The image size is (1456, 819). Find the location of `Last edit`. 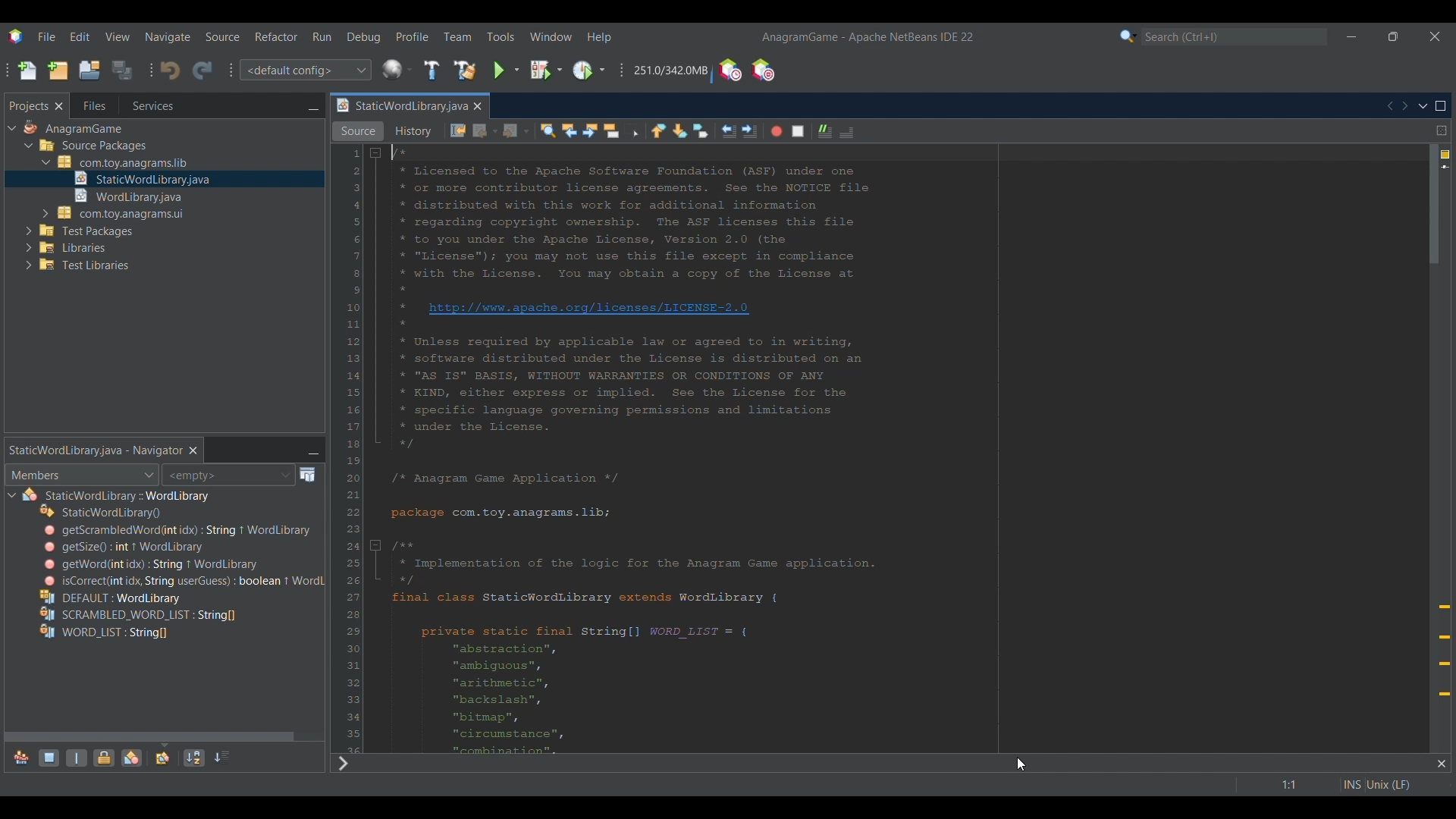

Last edit is located at coordinates (458, 130).